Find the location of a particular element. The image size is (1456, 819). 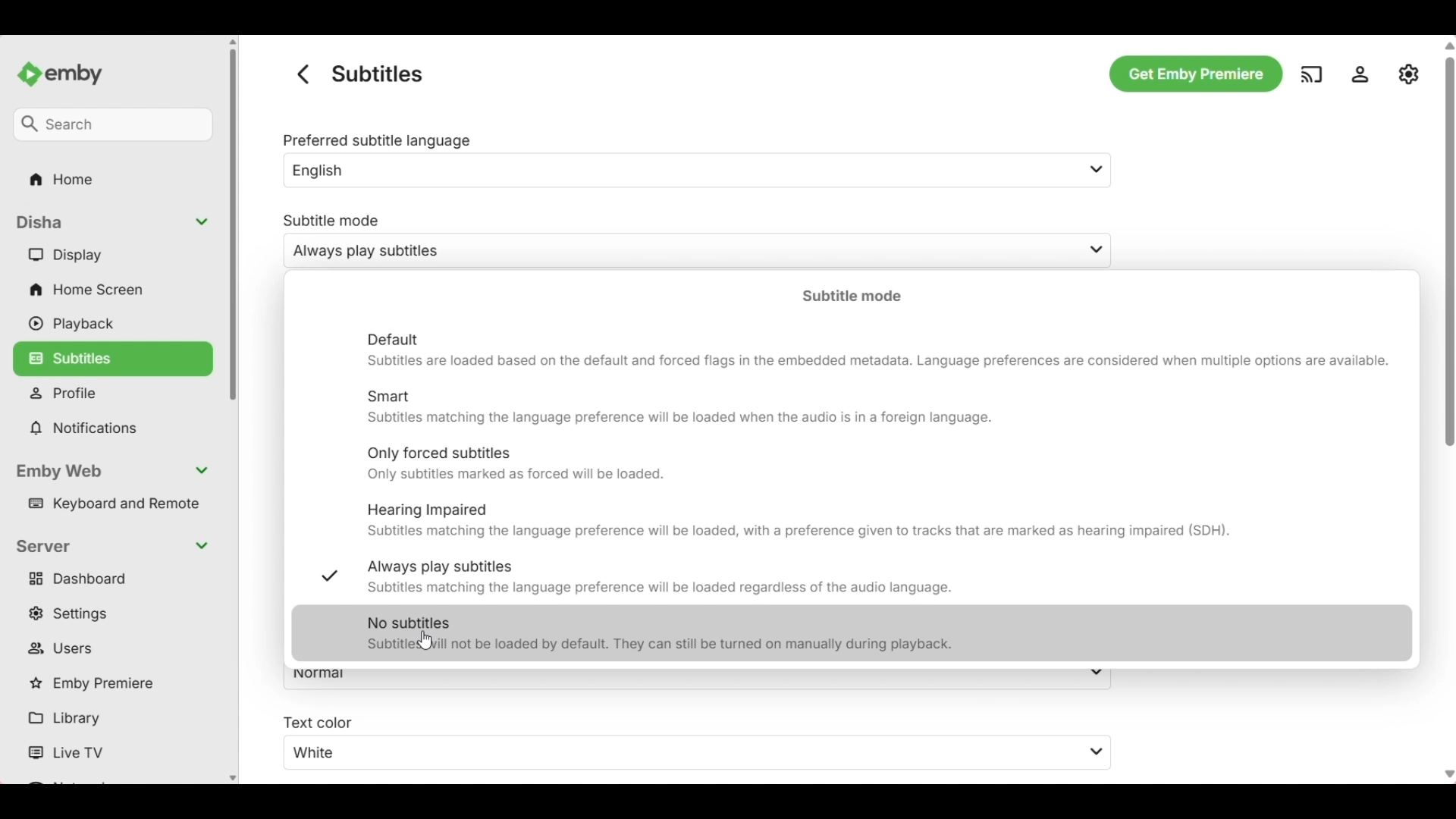

Section title is located at coordinates (852, 295).